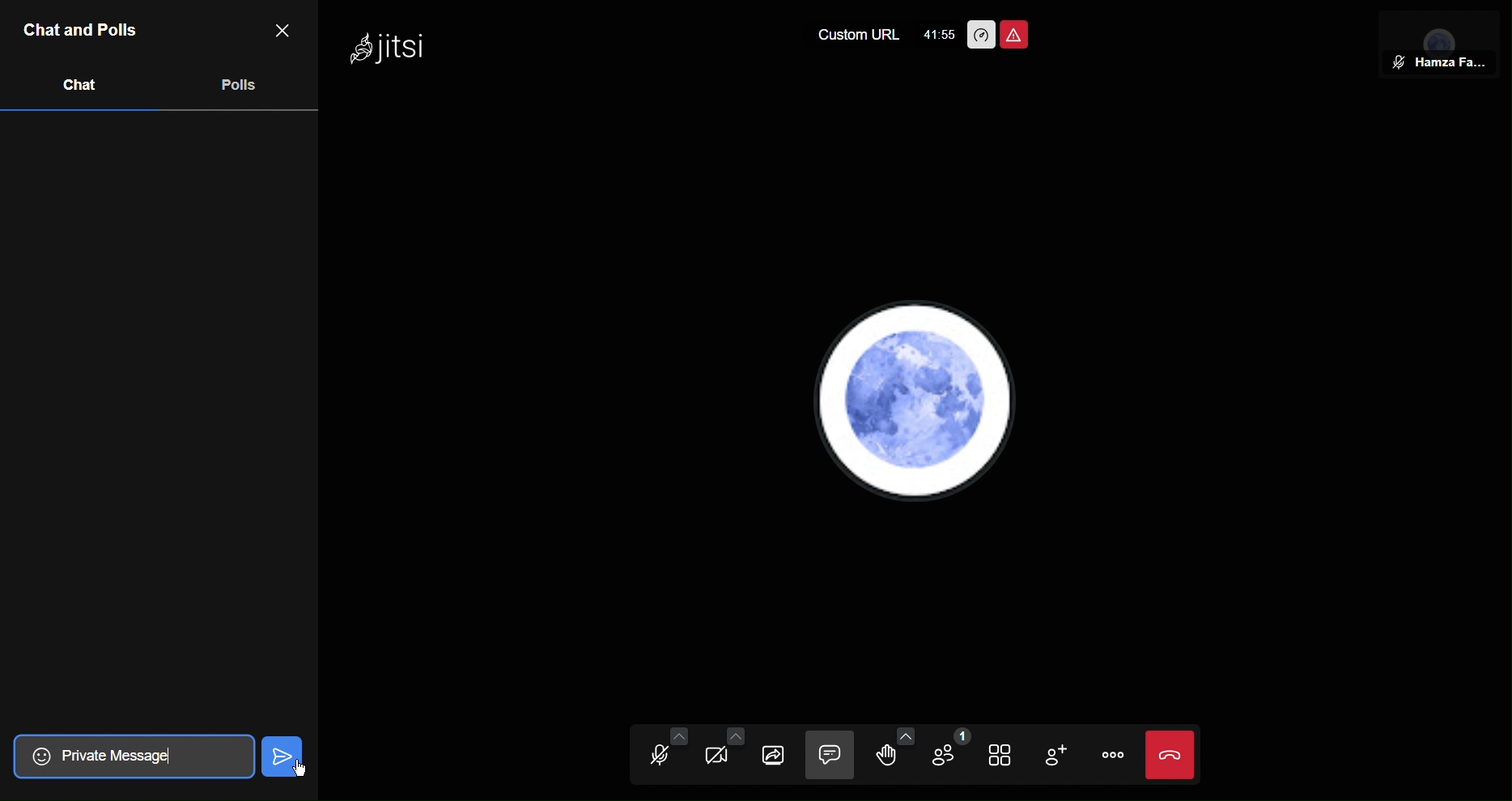  What do you see at coordinates (117, 756) in the screenshot?
I see `Private Message` at bounding box center [117, 756].